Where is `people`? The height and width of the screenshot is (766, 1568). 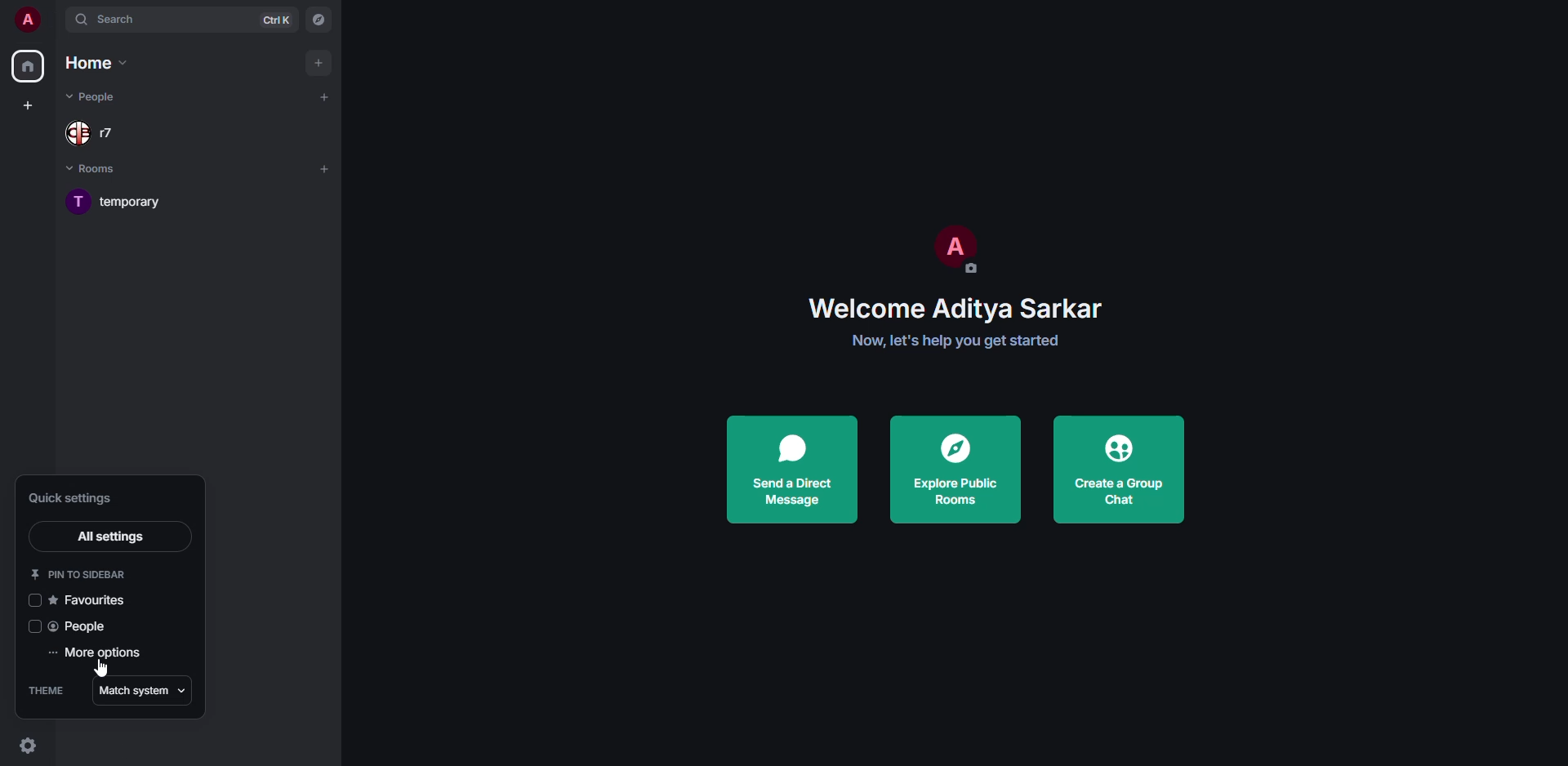 people is located at coordinates (108, 132).